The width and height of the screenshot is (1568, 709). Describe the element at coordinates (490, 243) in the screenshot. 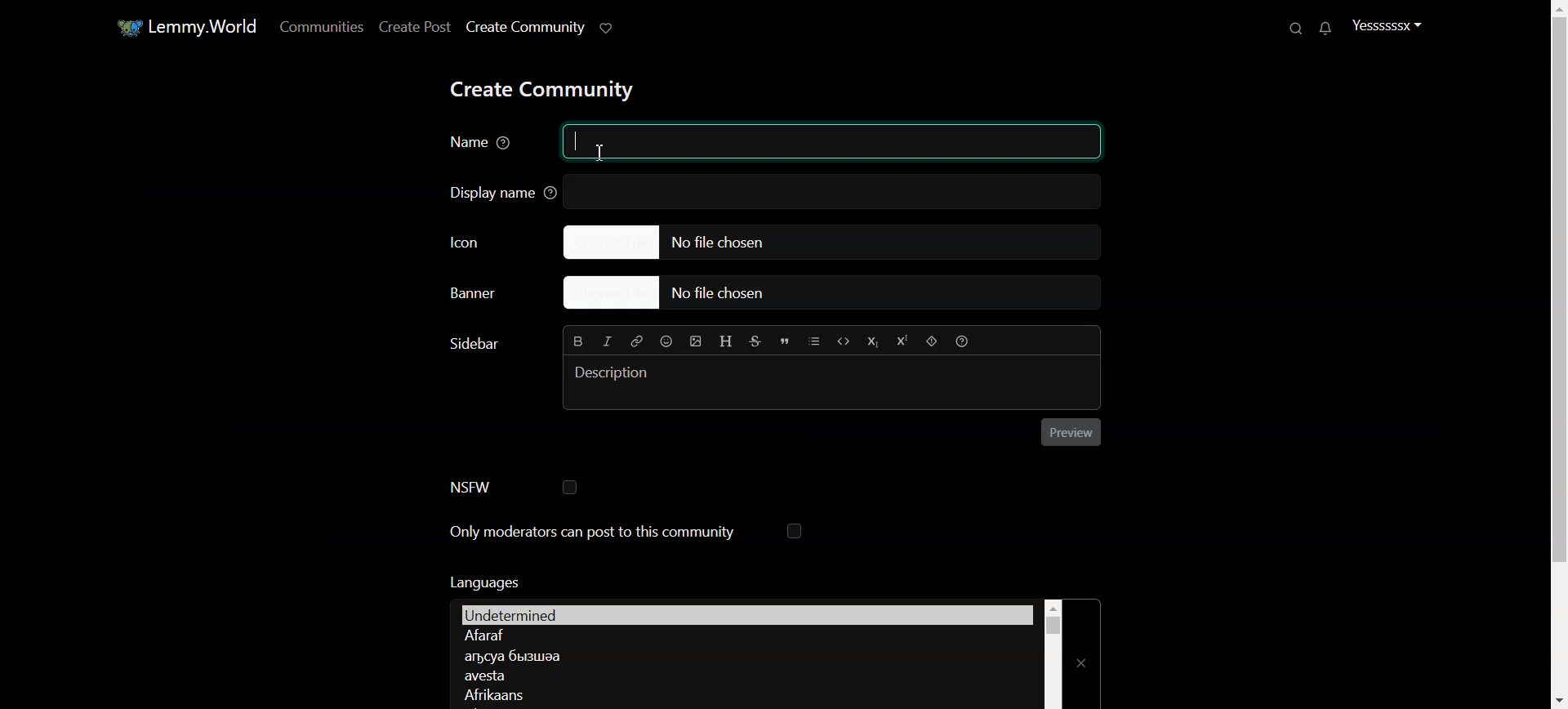

I see `Icon ` at that location.